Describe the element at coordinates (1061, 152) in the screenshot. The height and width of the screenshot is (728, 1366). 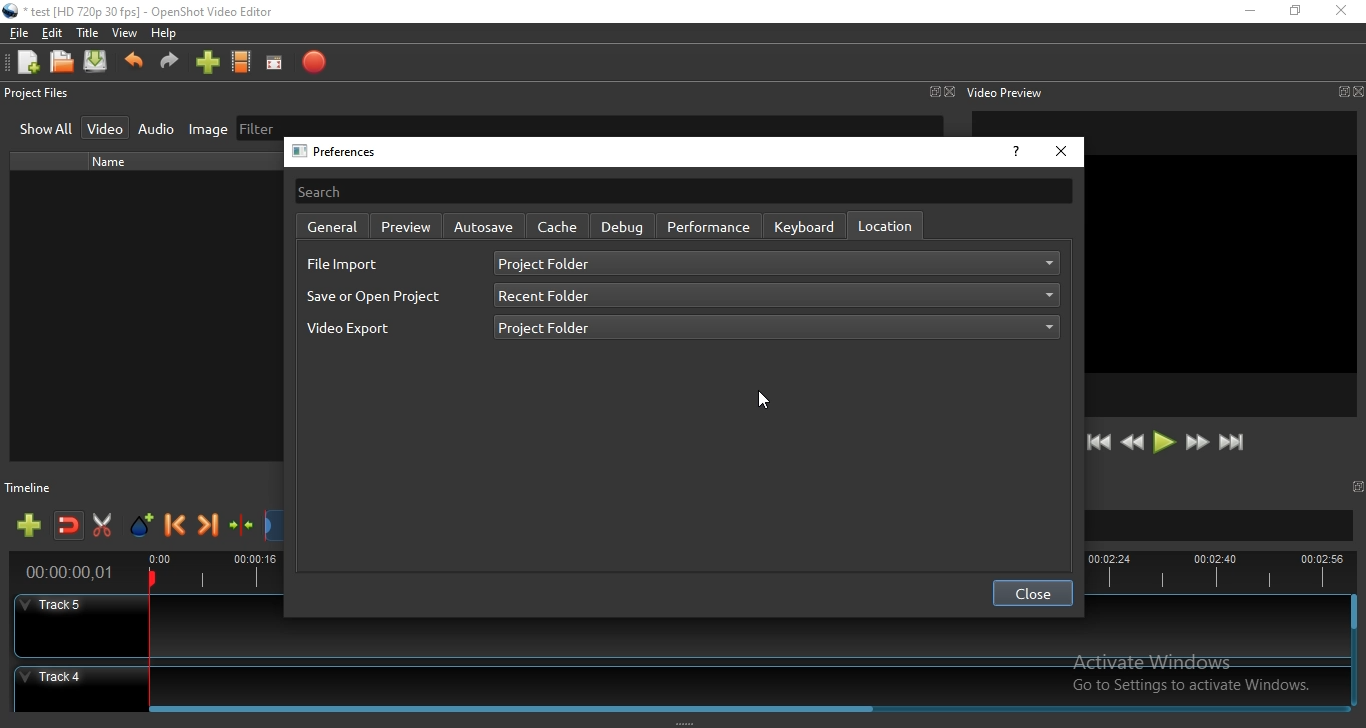
I see `close` at that location.